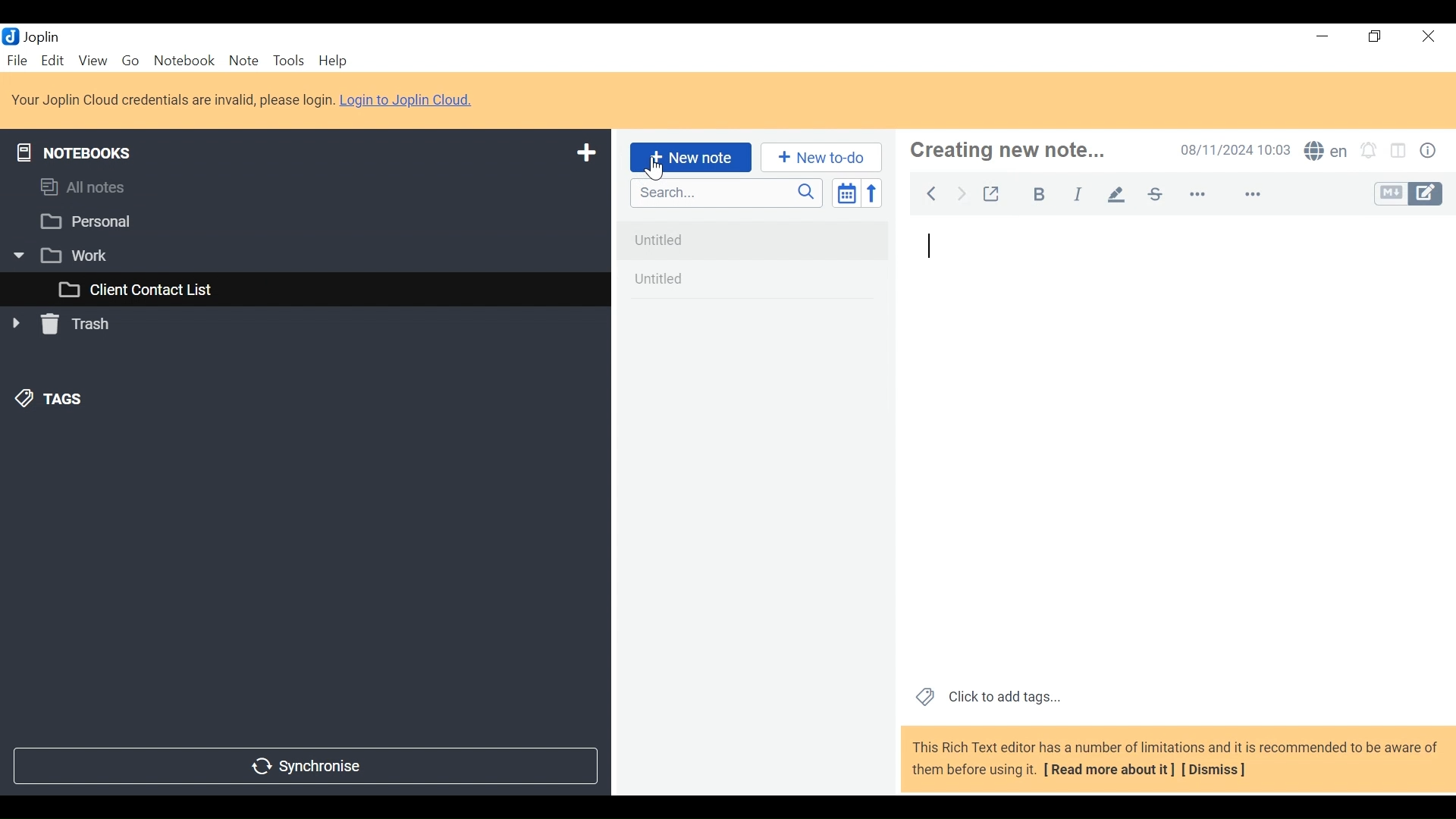  What do you see at coordinates (754, 235) in the screenshot?
I see `Untitled` at bounding box center [754, 235].